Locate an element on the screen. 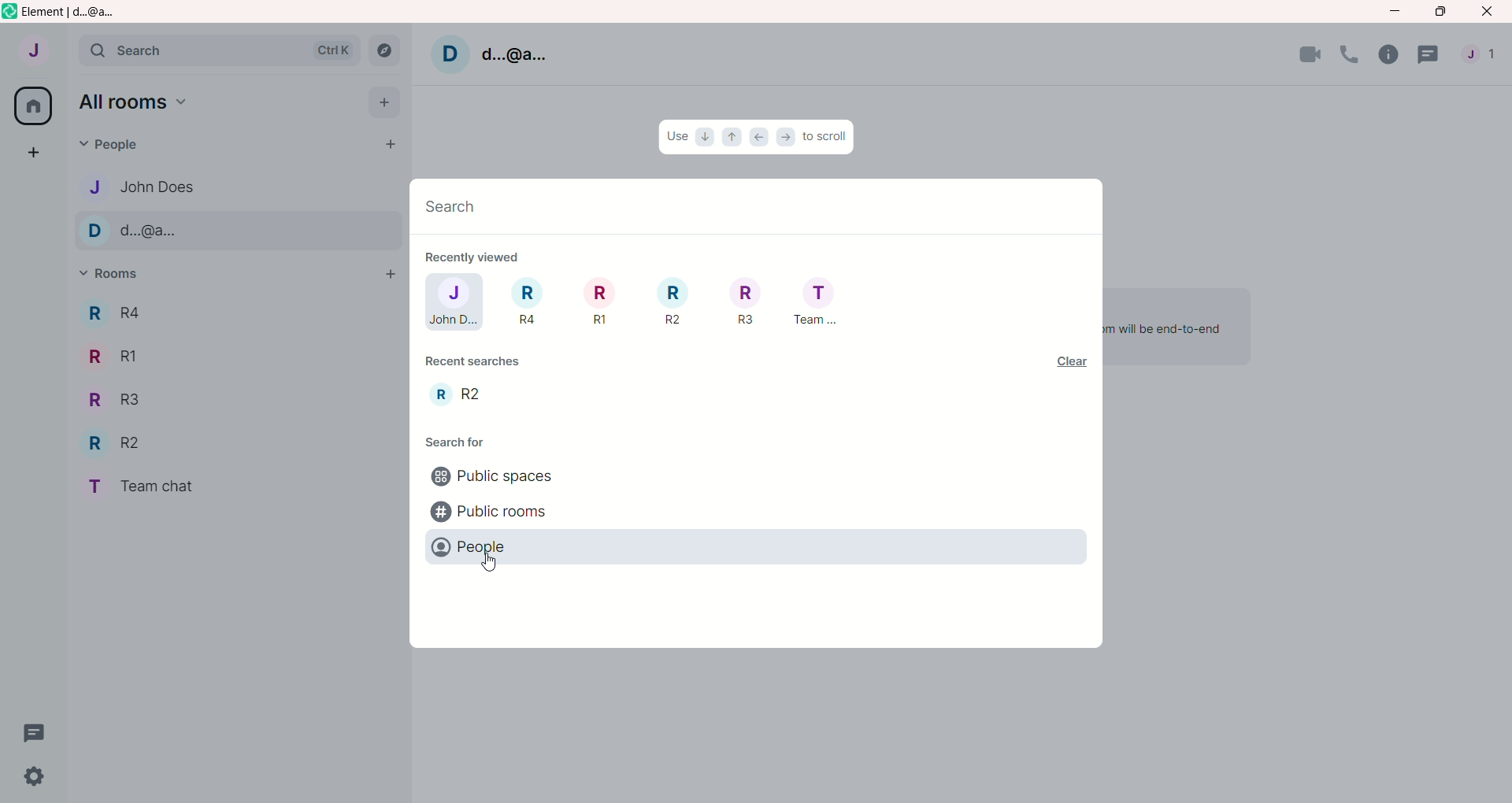 This screenshot has height=803, width=1512. clear is located at coordinates (1066, 361).